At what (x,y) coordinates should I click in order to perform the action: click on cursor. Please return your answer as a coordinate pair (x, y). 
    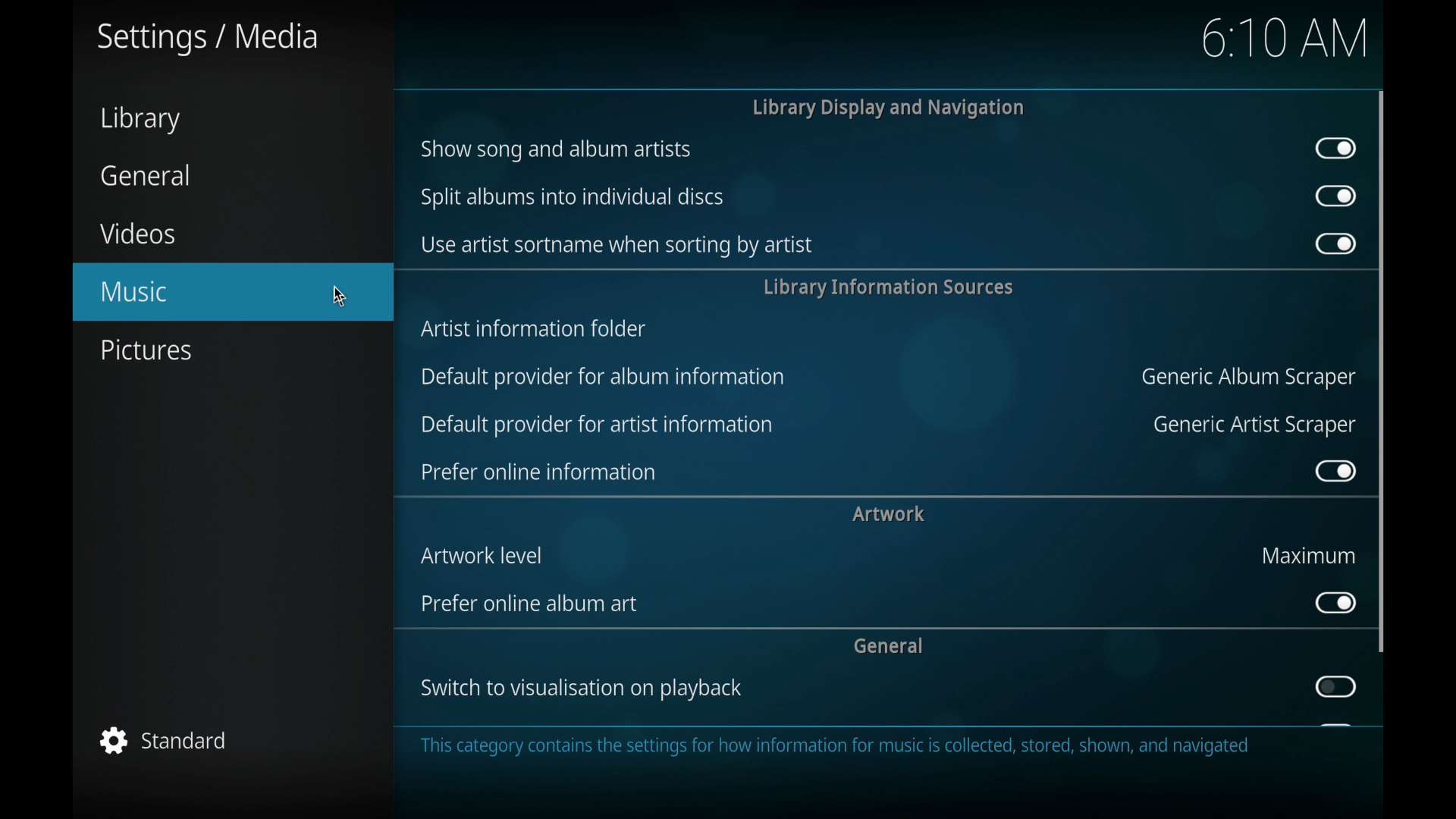
    Looking at the image, I should click on (340, 297).